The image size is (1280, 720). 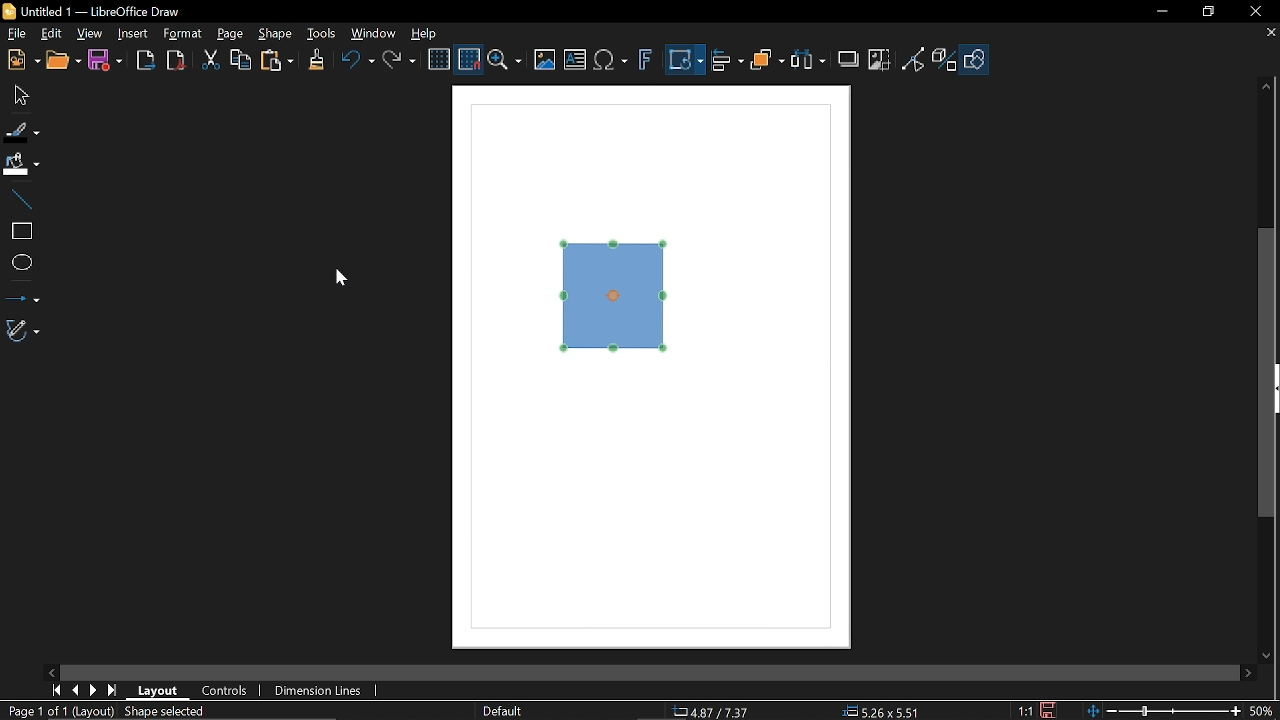 What do you see at coordinates (710, 710) in the screenshot?
I see `4.87/7.37 (Cursor Position)` at bounding box center [710, 710].